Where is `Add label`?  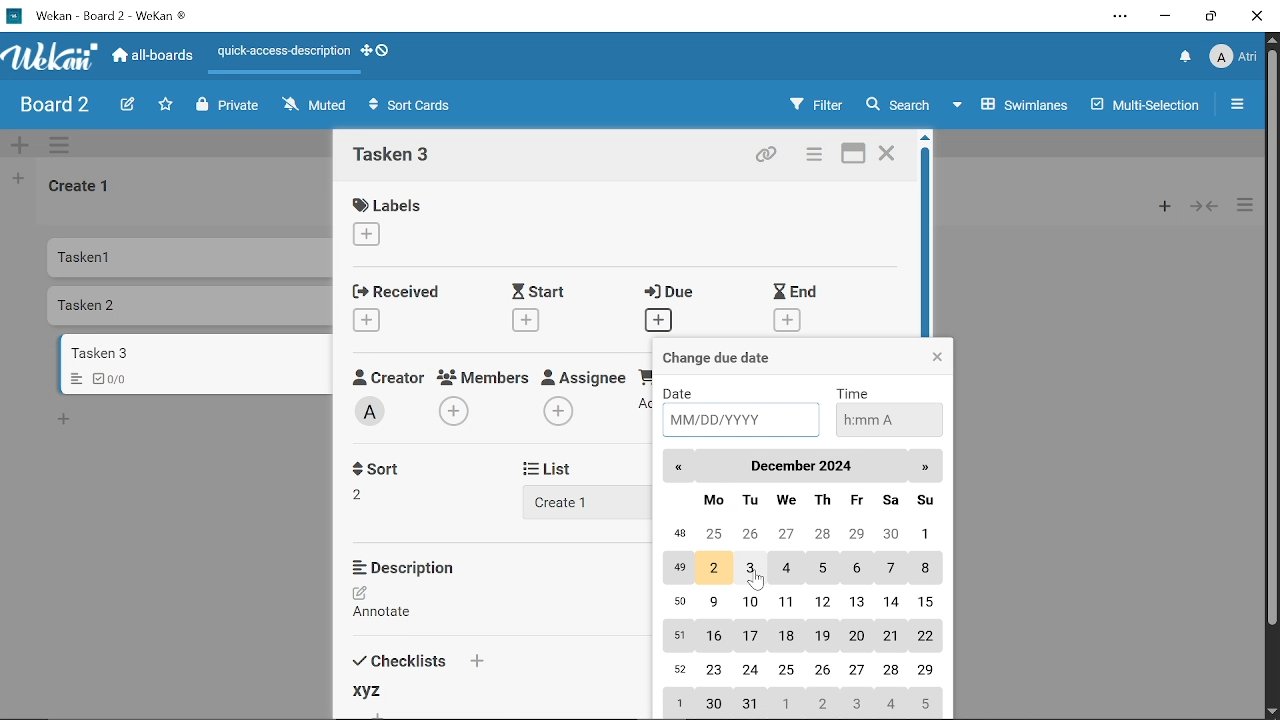
Add label is located at coordinates (376, 236).